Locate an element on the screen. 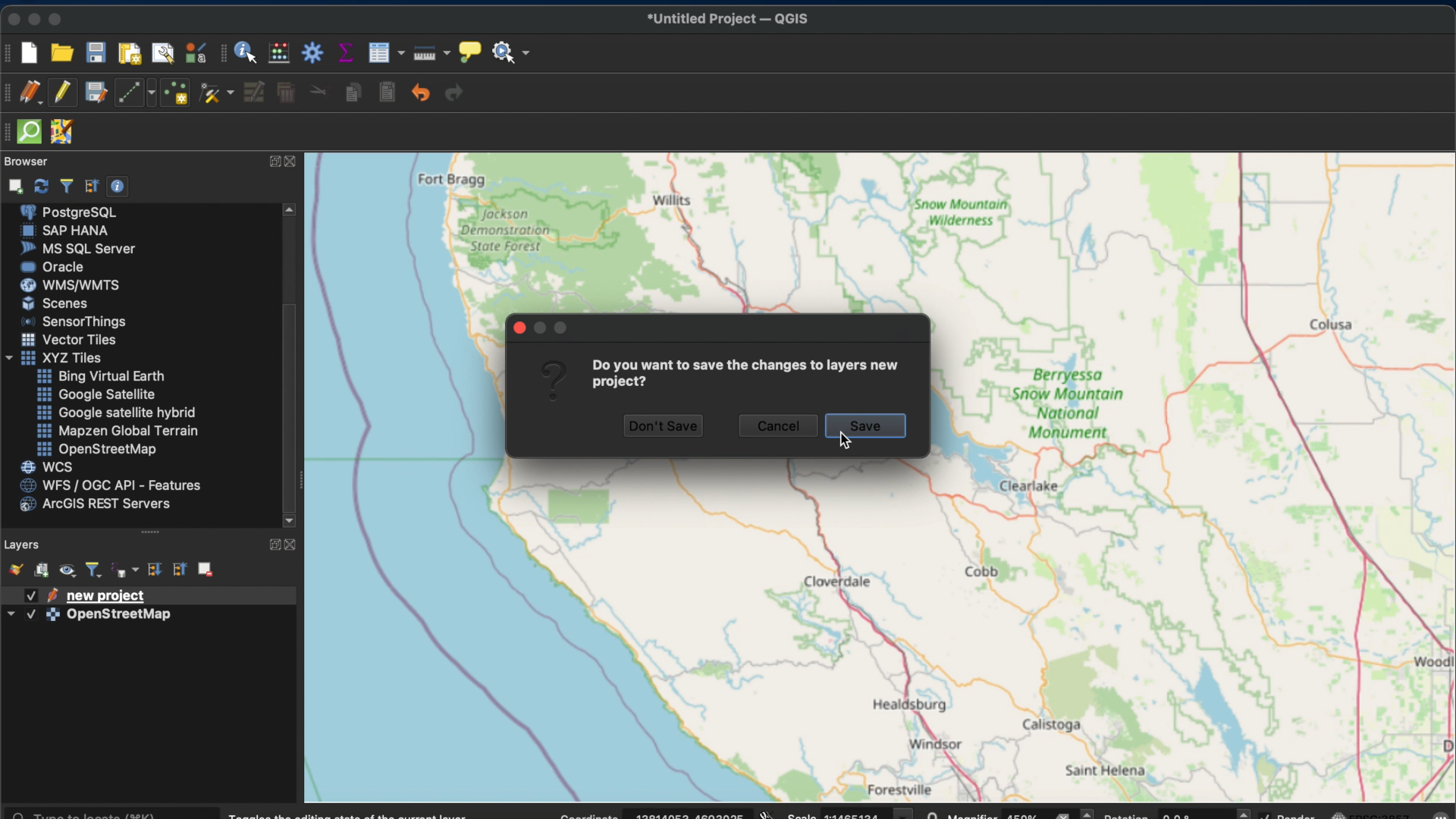  new project layer is located at coordinates (83, 595).